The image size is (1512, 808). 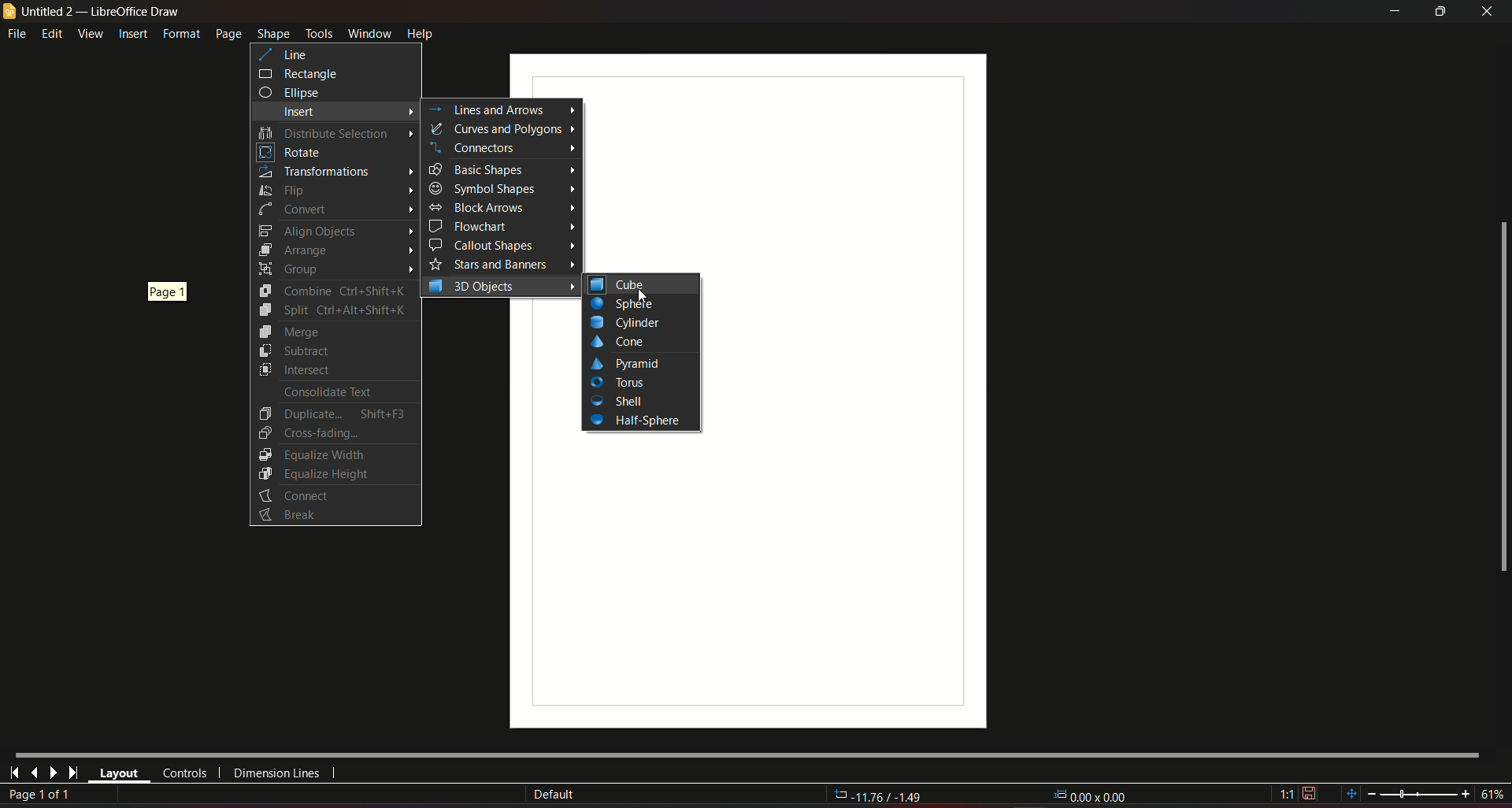 I want to click on Cursor, so click(x=640, y=298).